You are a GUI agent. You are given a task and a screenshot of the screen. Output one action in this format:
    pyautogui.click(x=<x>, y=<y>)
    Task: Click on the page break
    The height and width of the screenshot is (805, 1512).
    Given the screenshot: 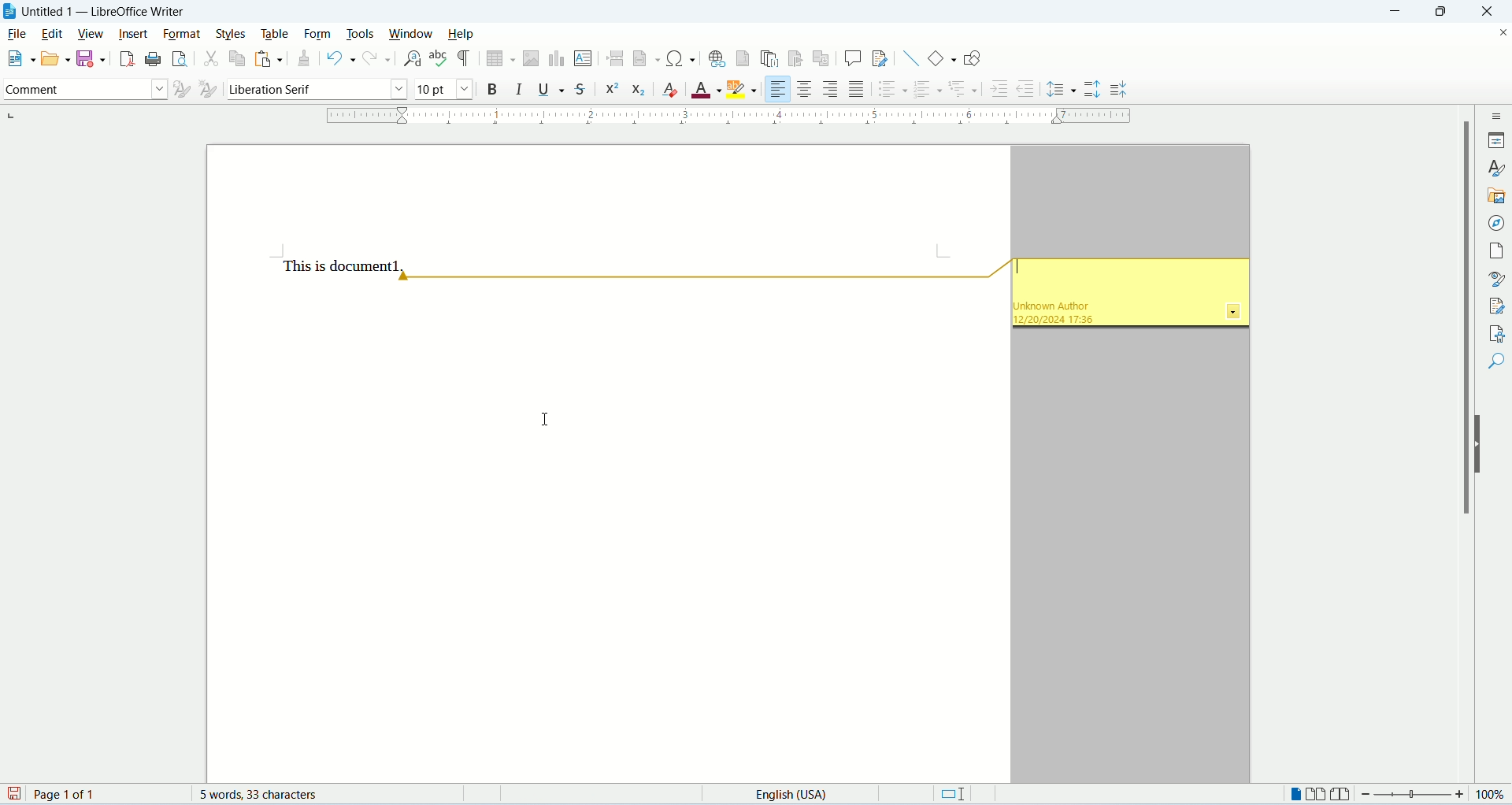 What is the action you would take?
    pyautogui.click(x=615, y=57)
    